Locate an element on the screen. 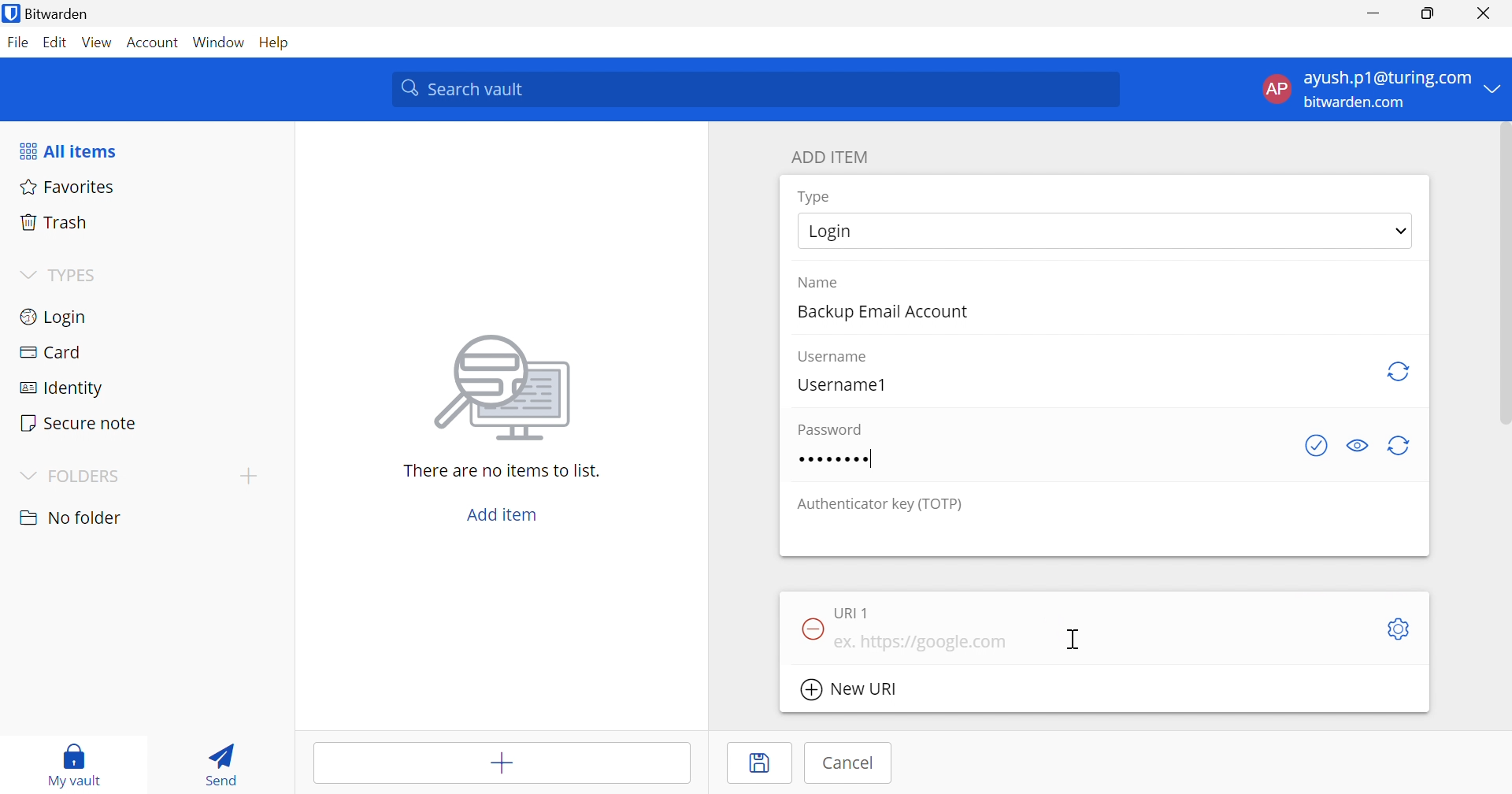 The image size is (1512, 794). New URl is located at coordinates (849, 690).